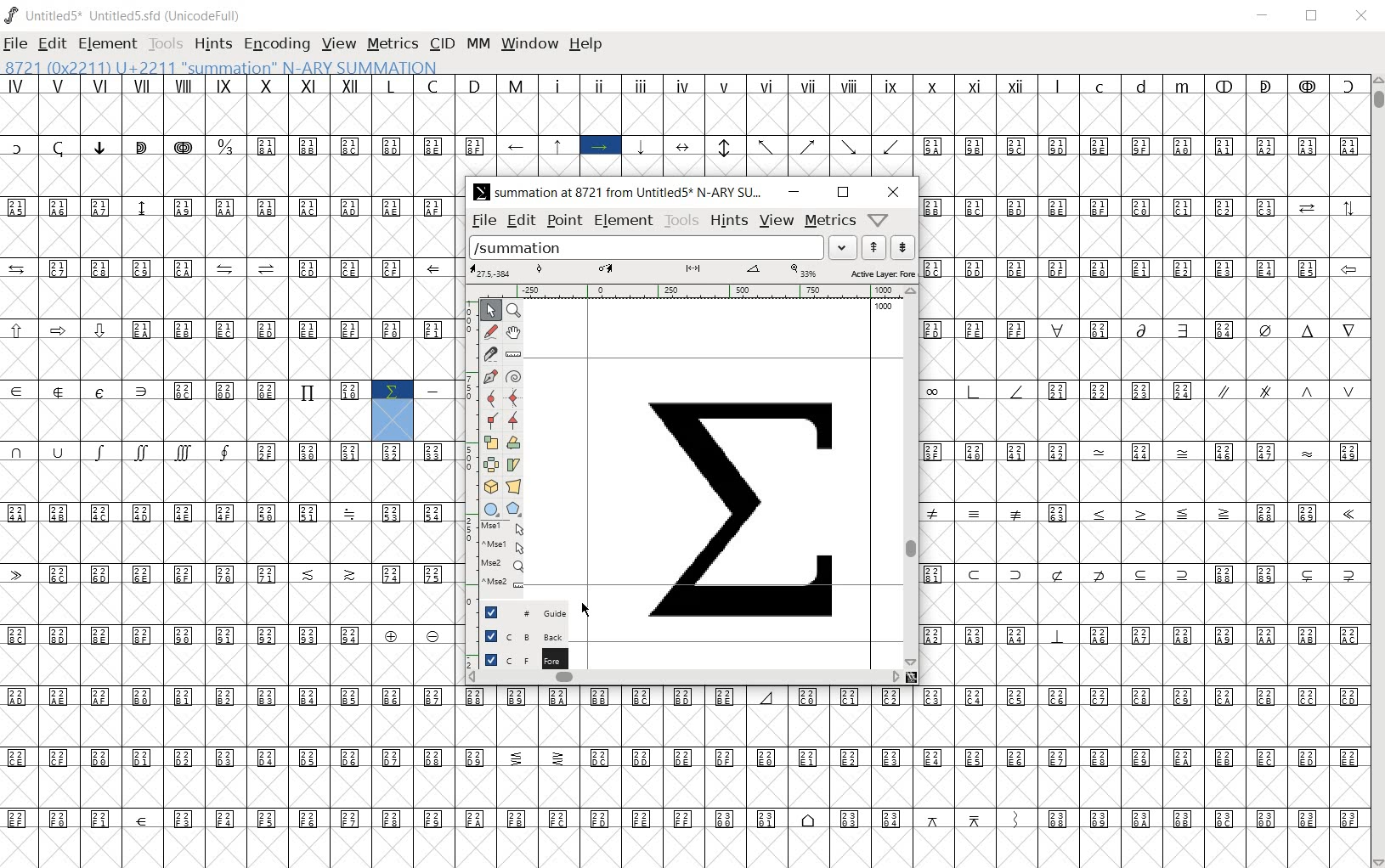 Image resolution: width=1385 pixels, height=868 pixels. I want to click on close, so click(892, 192).